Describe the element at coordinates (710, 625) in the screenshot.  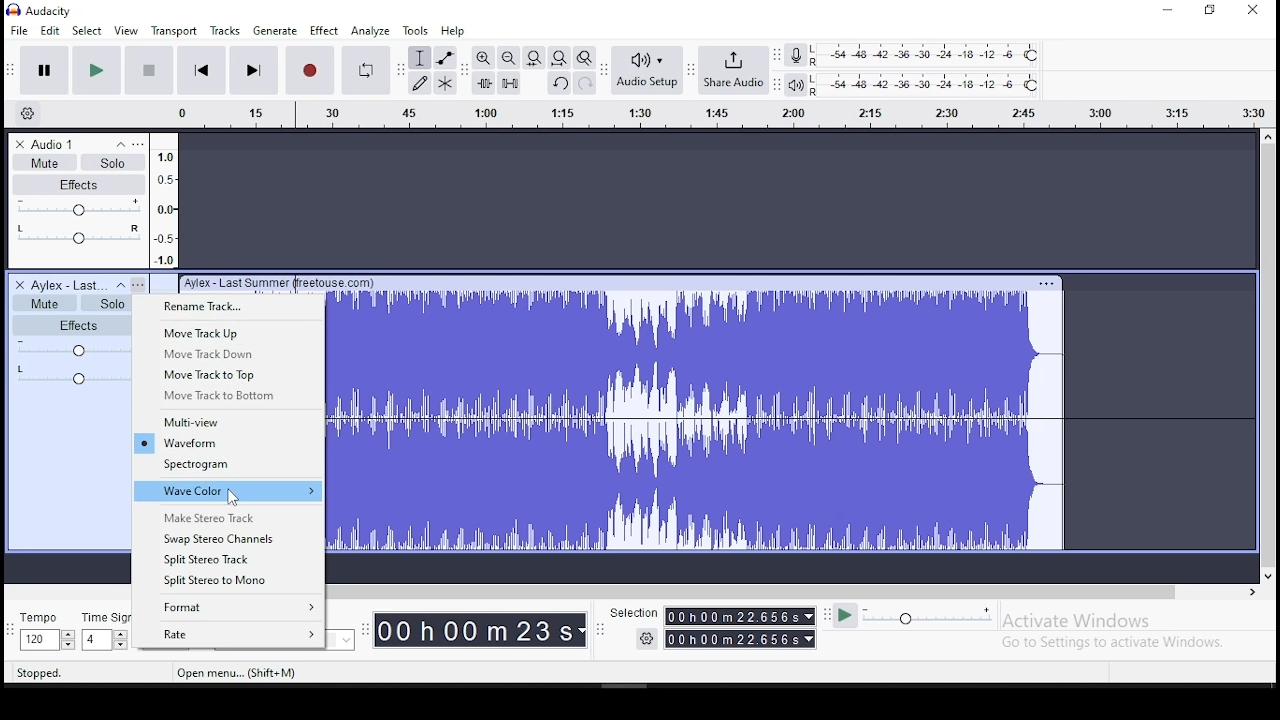
I see `selection` at that location.